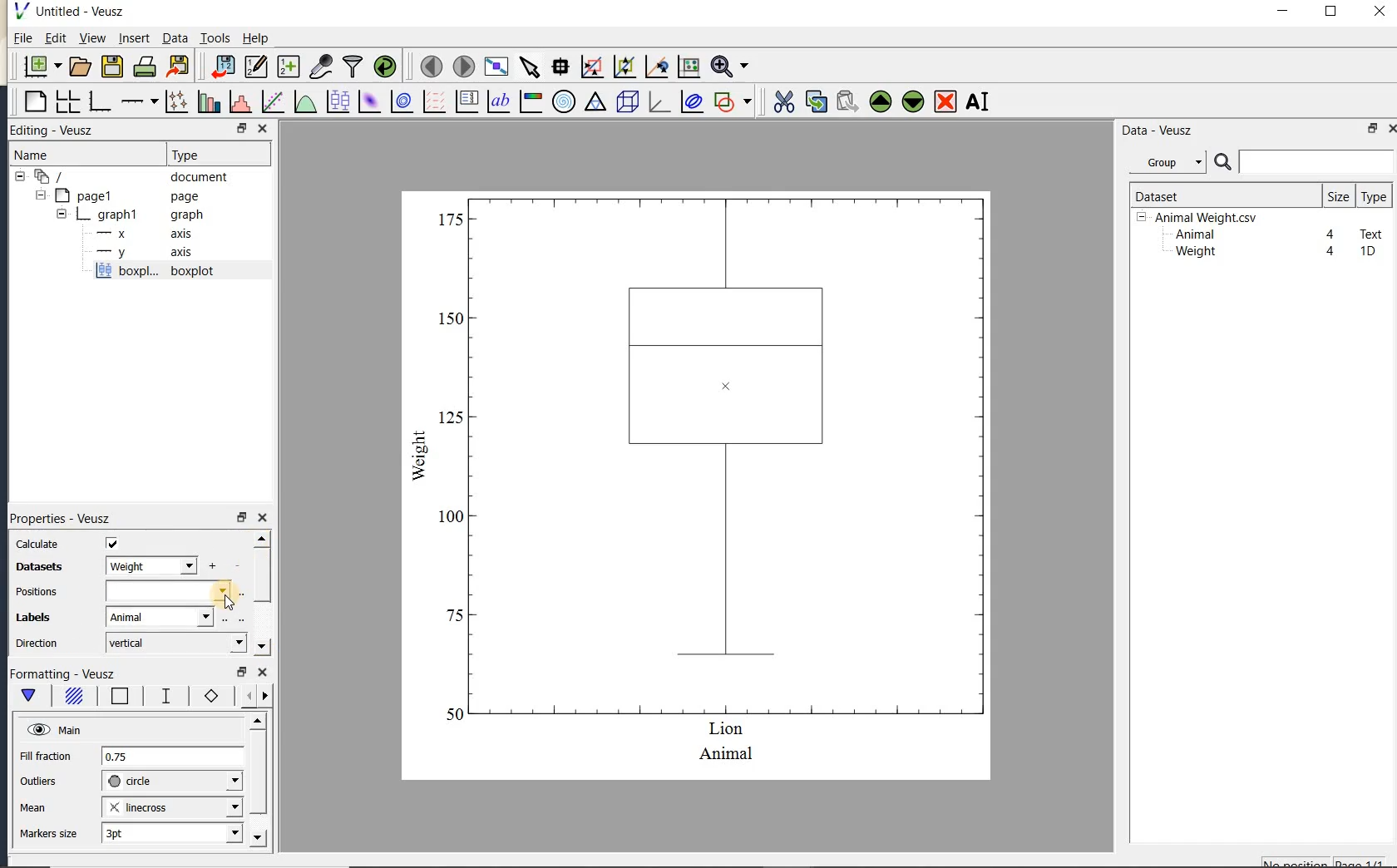 This screenshot has height=868, width=1397. I want to click on Data-Veusz, so click(1158, 131).